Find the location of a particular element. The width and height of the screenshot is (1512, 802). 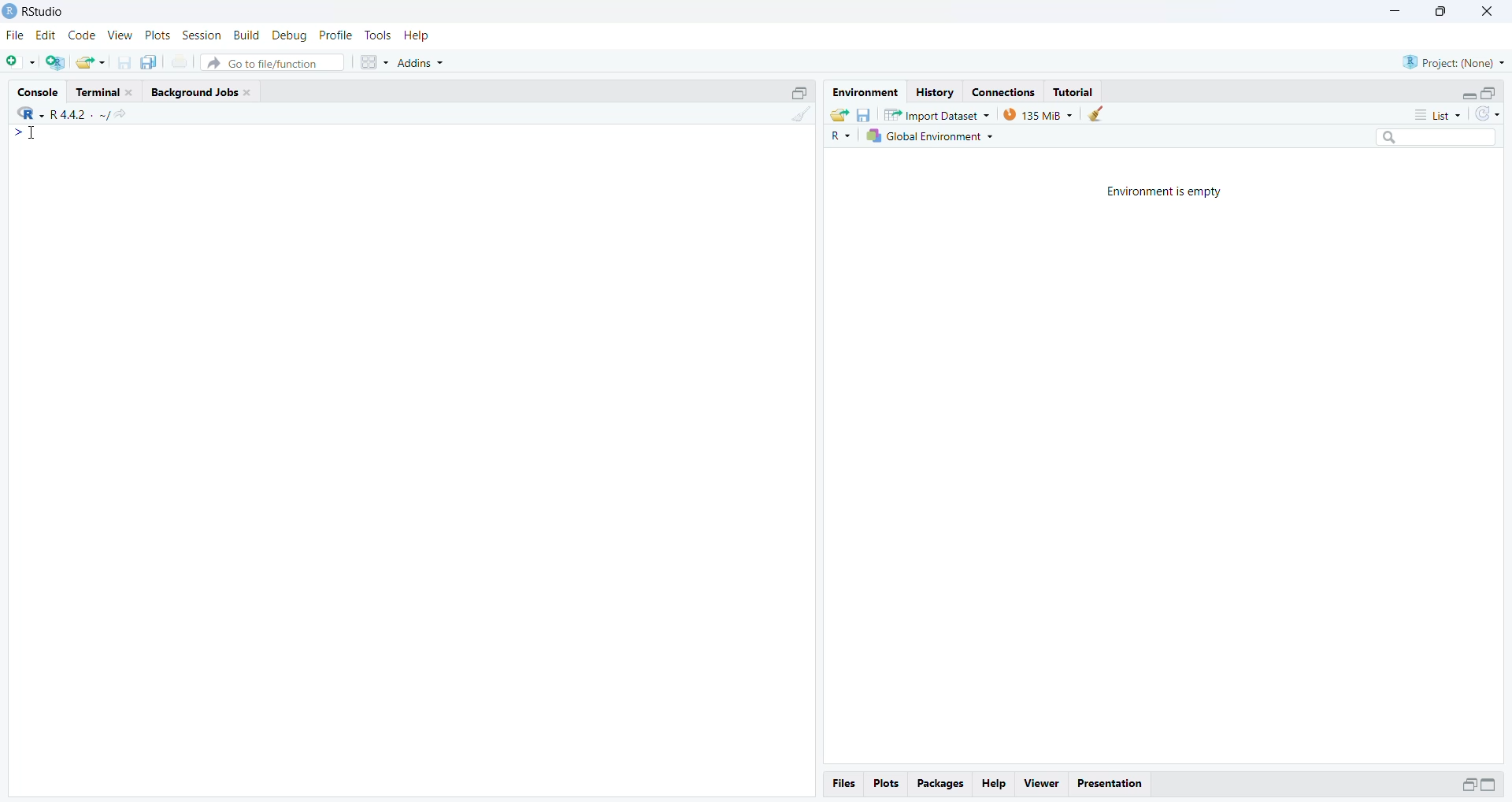

Session is located at coordinates (202, 36).